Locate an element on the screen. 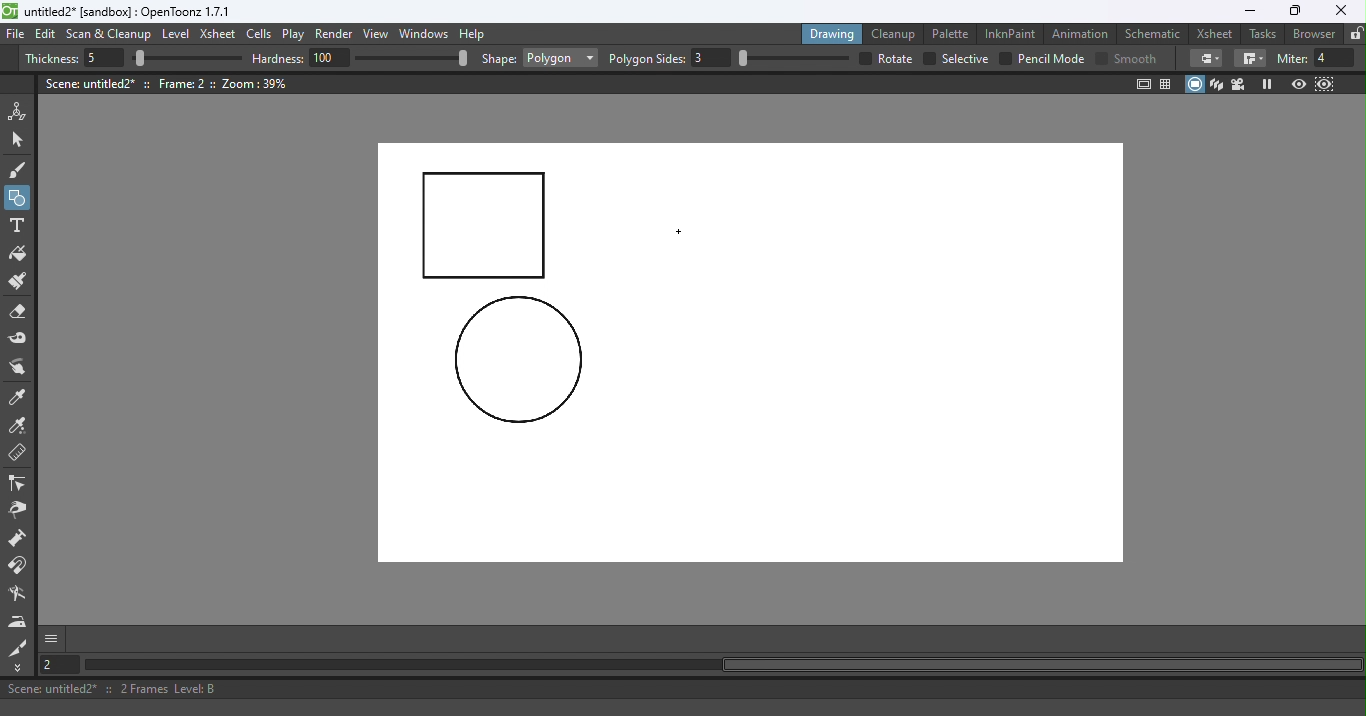 Image resolution: width=1366 pixels, height=716 pixels. Camera view is located at coordinates (1241, 83).